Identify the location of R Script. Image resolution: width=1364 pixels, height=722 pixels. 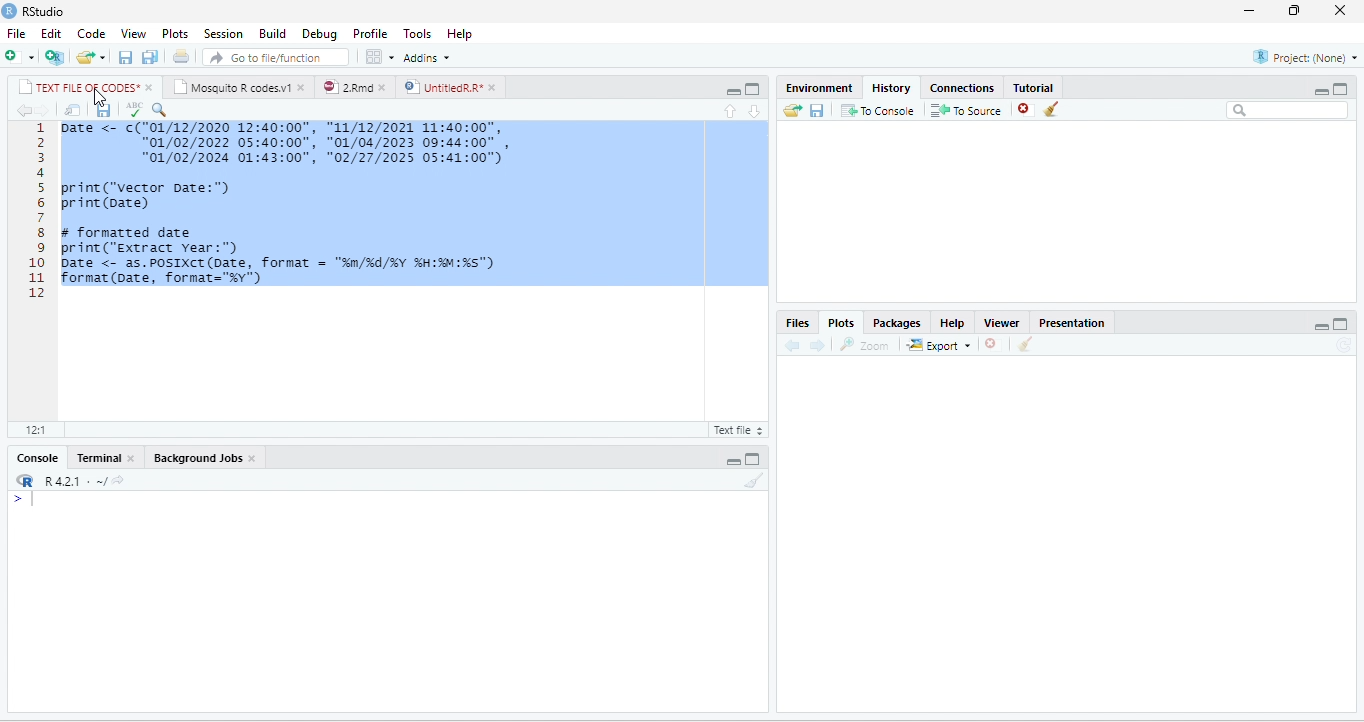
(736, 429).